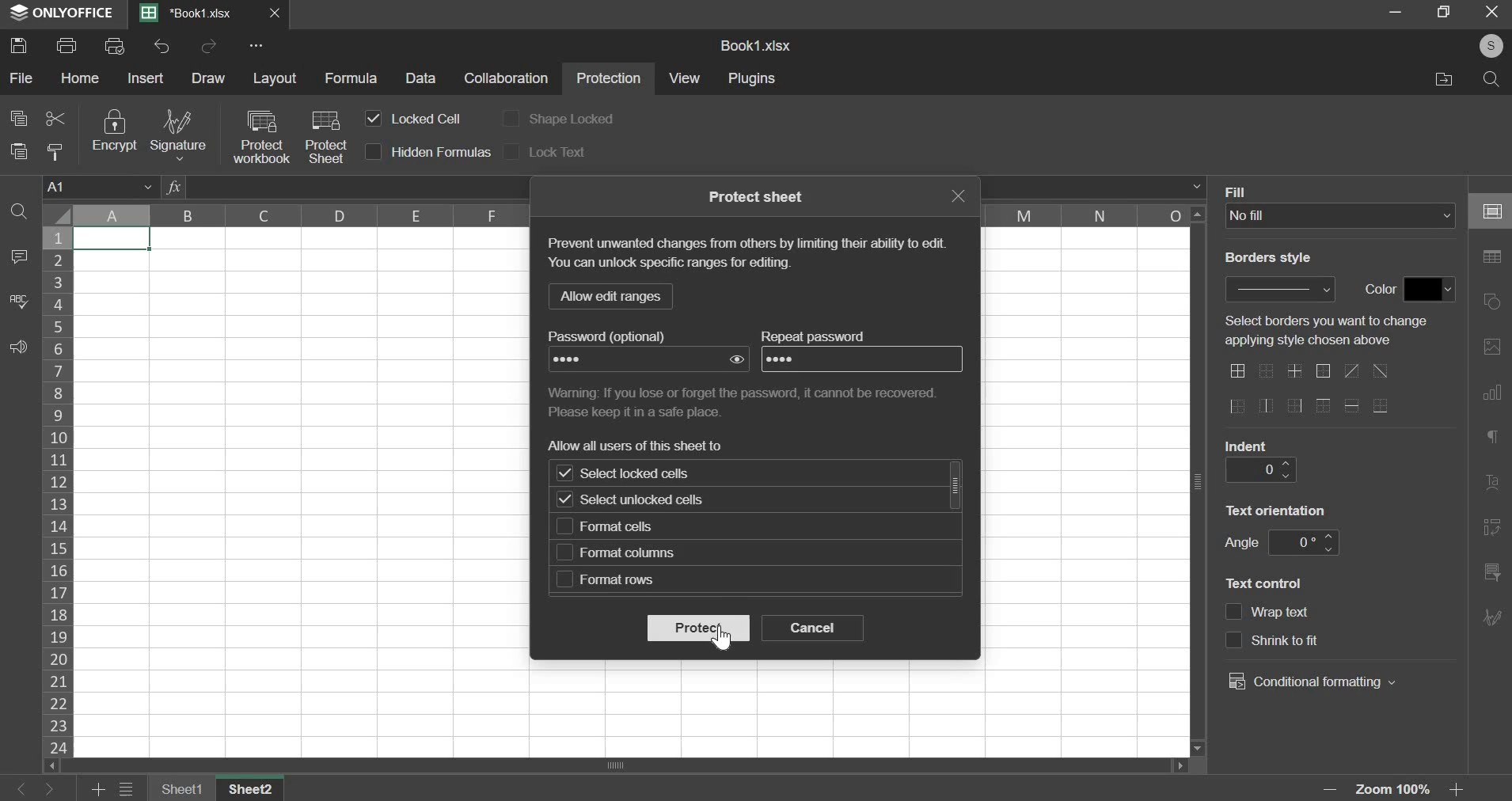  What do you see at coordinates (639, 445) in the screenshot?
I see `text` at bounding box center [639, 445].